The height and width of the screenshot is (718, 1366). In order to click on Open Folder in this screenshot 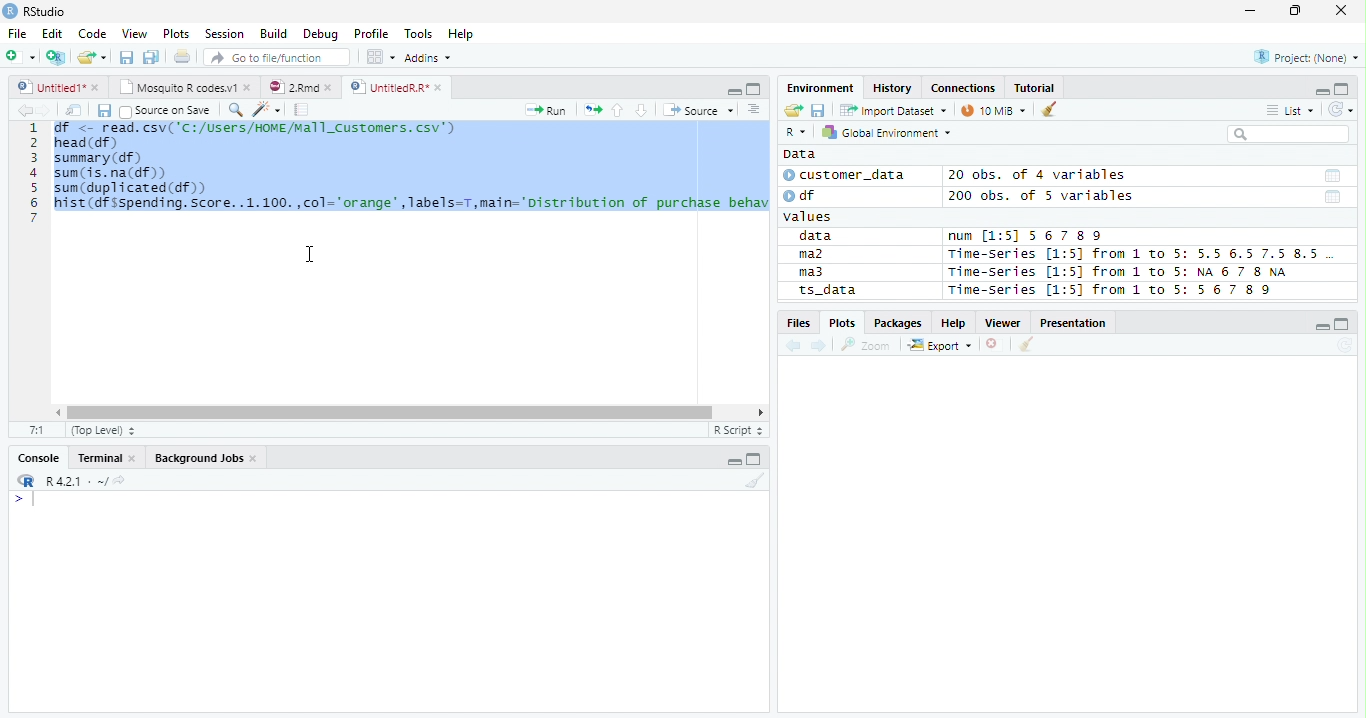, I will do `click(93, 56)`.